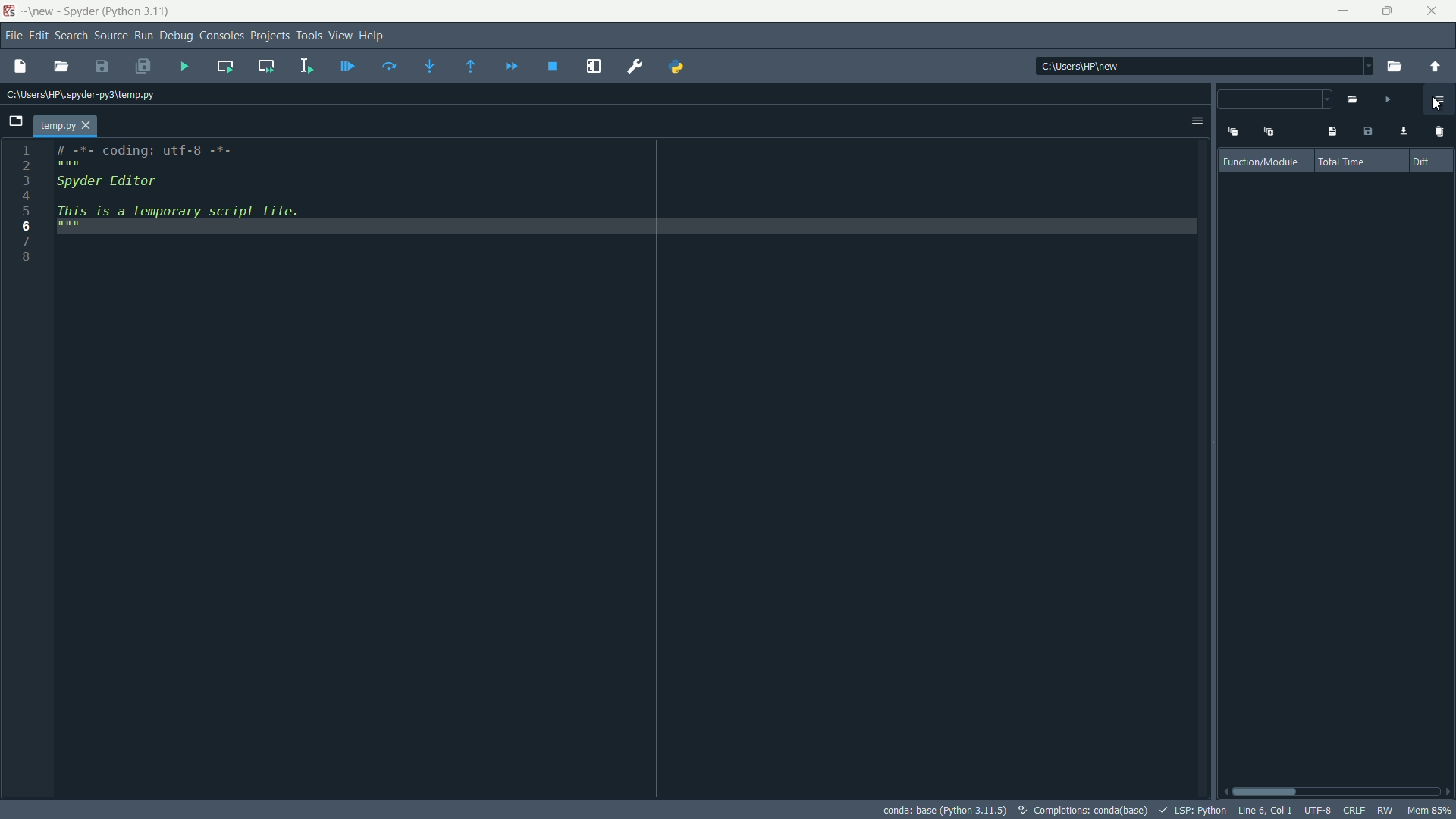 The image size is (1456, 819). Describe the element at coordinates (390, 67) in the screenshot. I see `run current line` at that location.